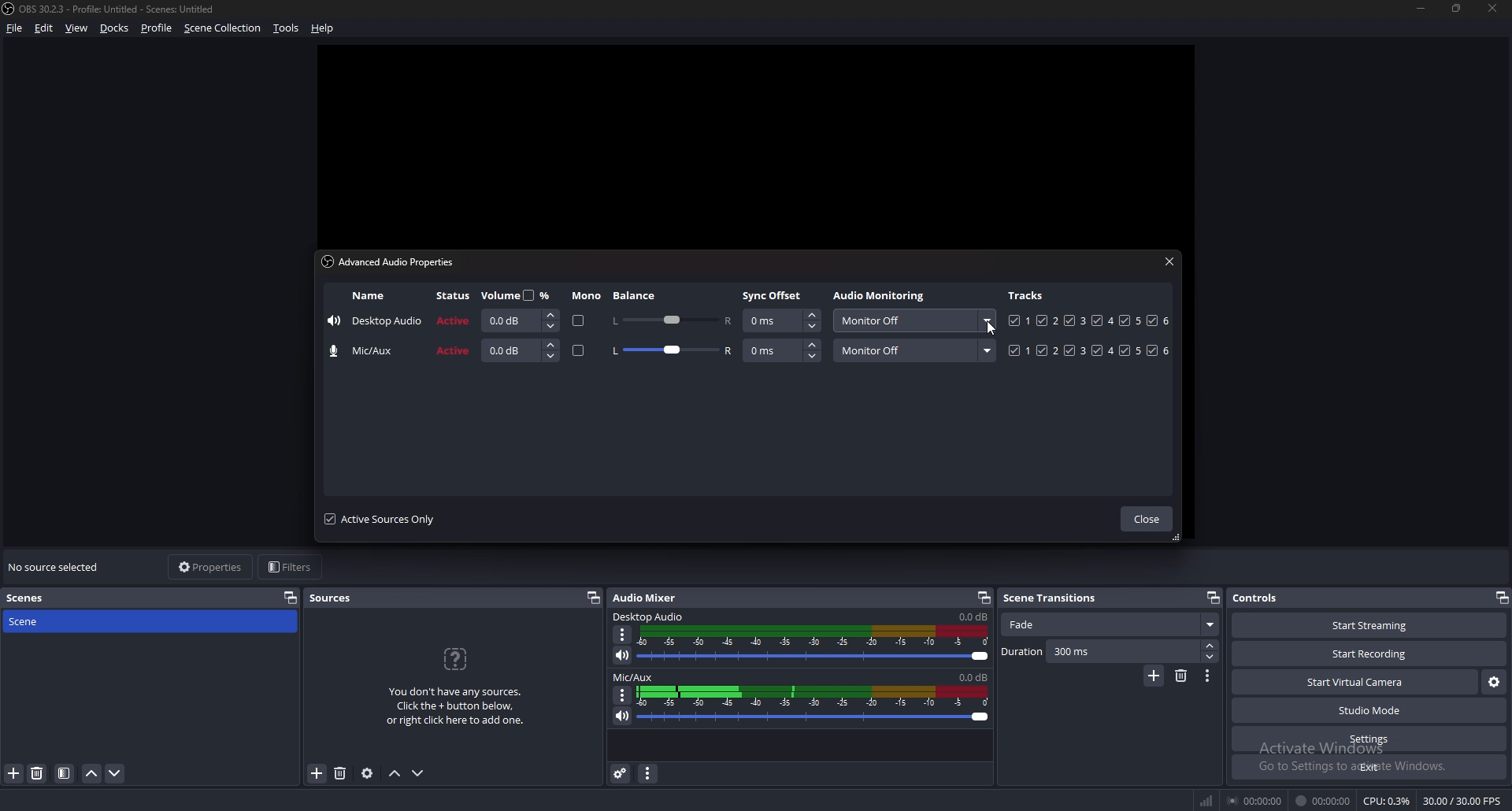 Image resolution: width=1512 pixels, height=811 pixels. Describe the element at coordinates (58, 568) in the screenshot. I see `no souce selected` at that location.